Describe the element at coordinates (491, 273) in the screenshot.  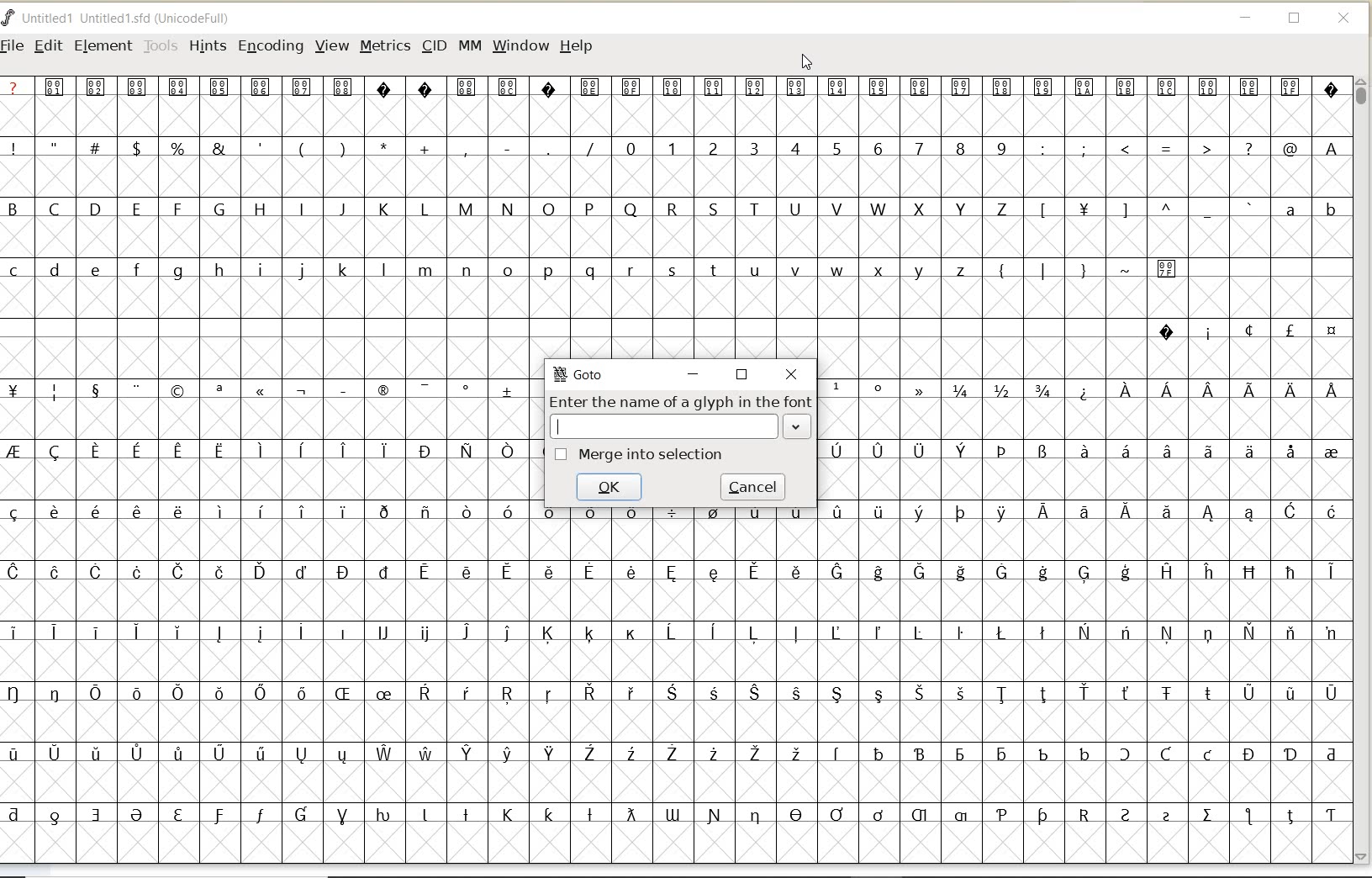
I see `lowercase letters` at that location.